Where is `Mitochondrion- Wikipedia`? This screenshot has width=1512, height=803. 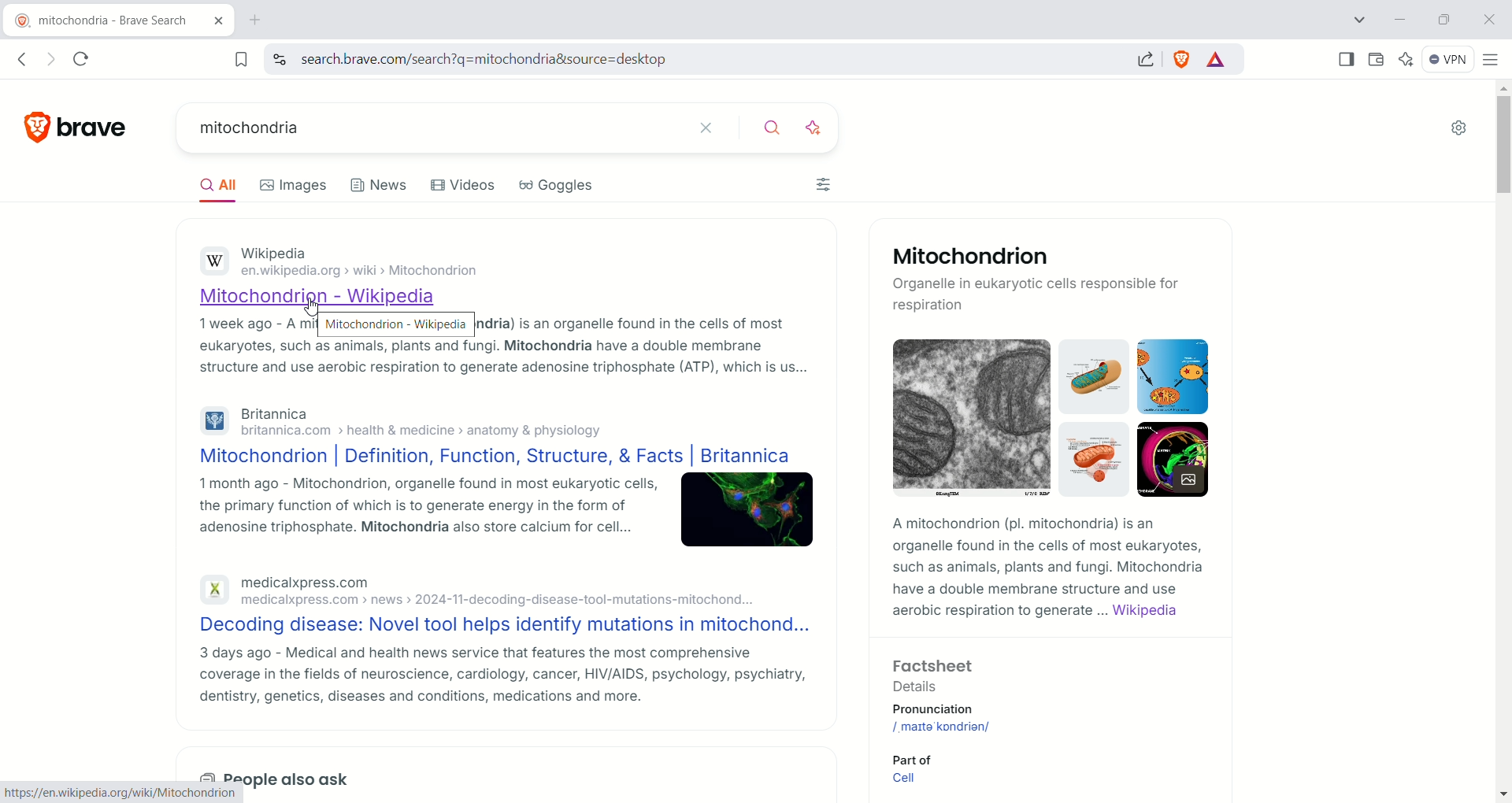
Mitochondrion- Wikipedia is located at coordinates (325, 297).